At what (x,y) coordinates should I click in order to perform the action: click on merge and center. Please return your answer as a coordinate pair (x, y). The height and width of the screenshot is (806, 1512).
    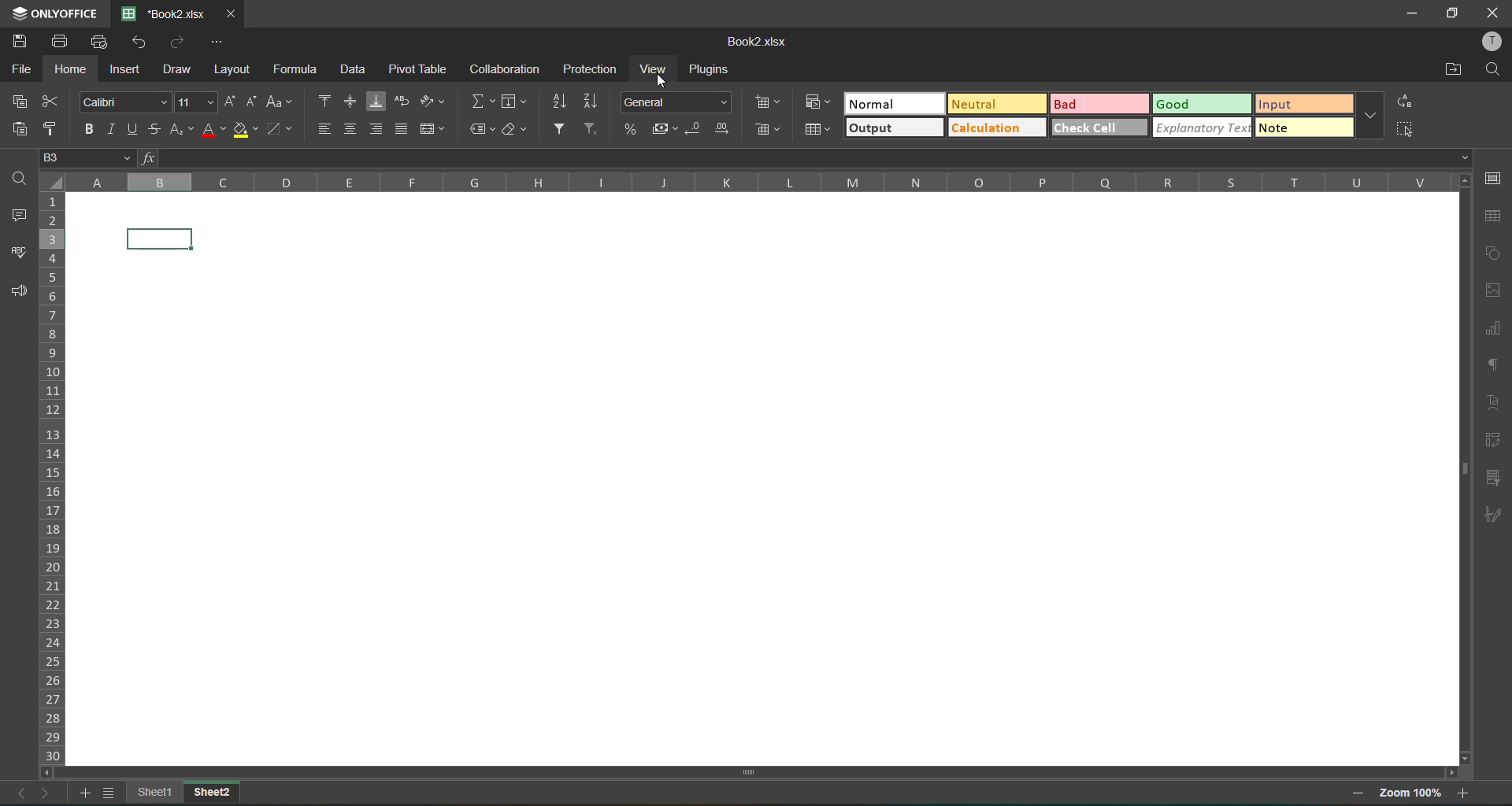
    Looking at the image, I should click on (431, 131).